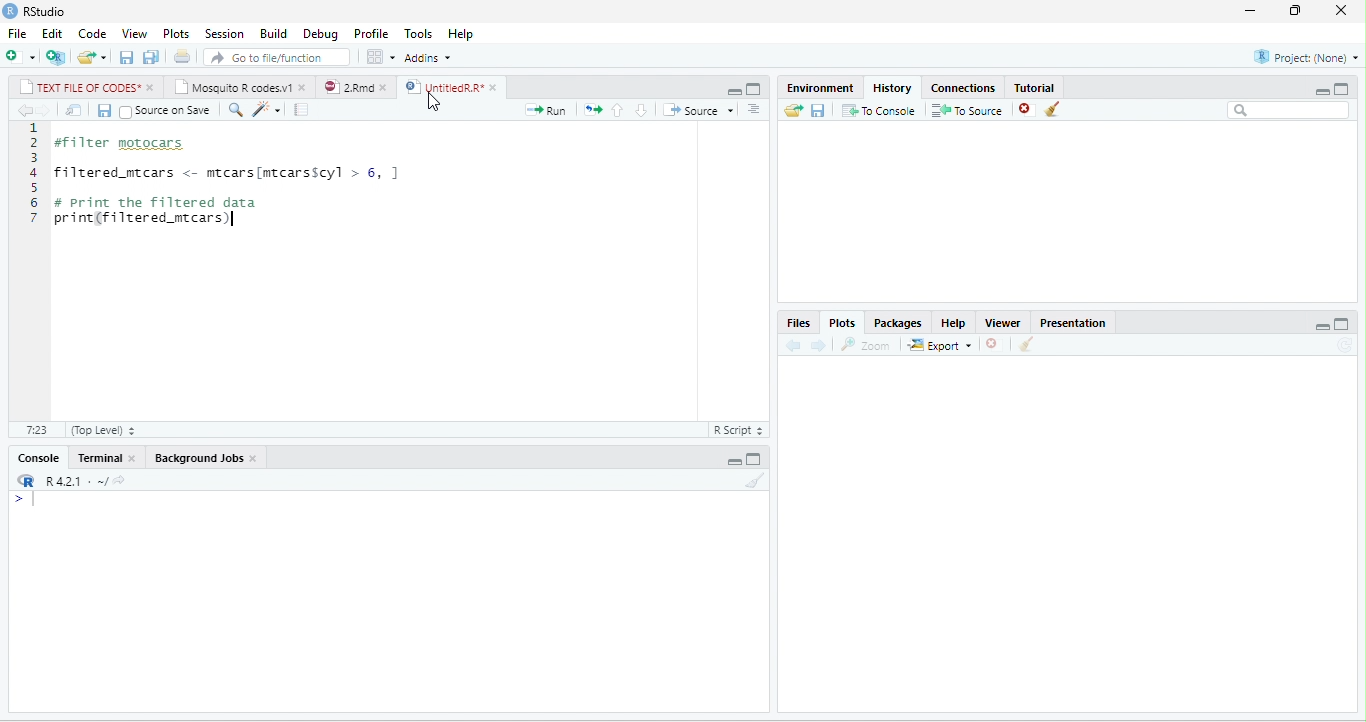  I want to click on Terminal, so click(97, 457).